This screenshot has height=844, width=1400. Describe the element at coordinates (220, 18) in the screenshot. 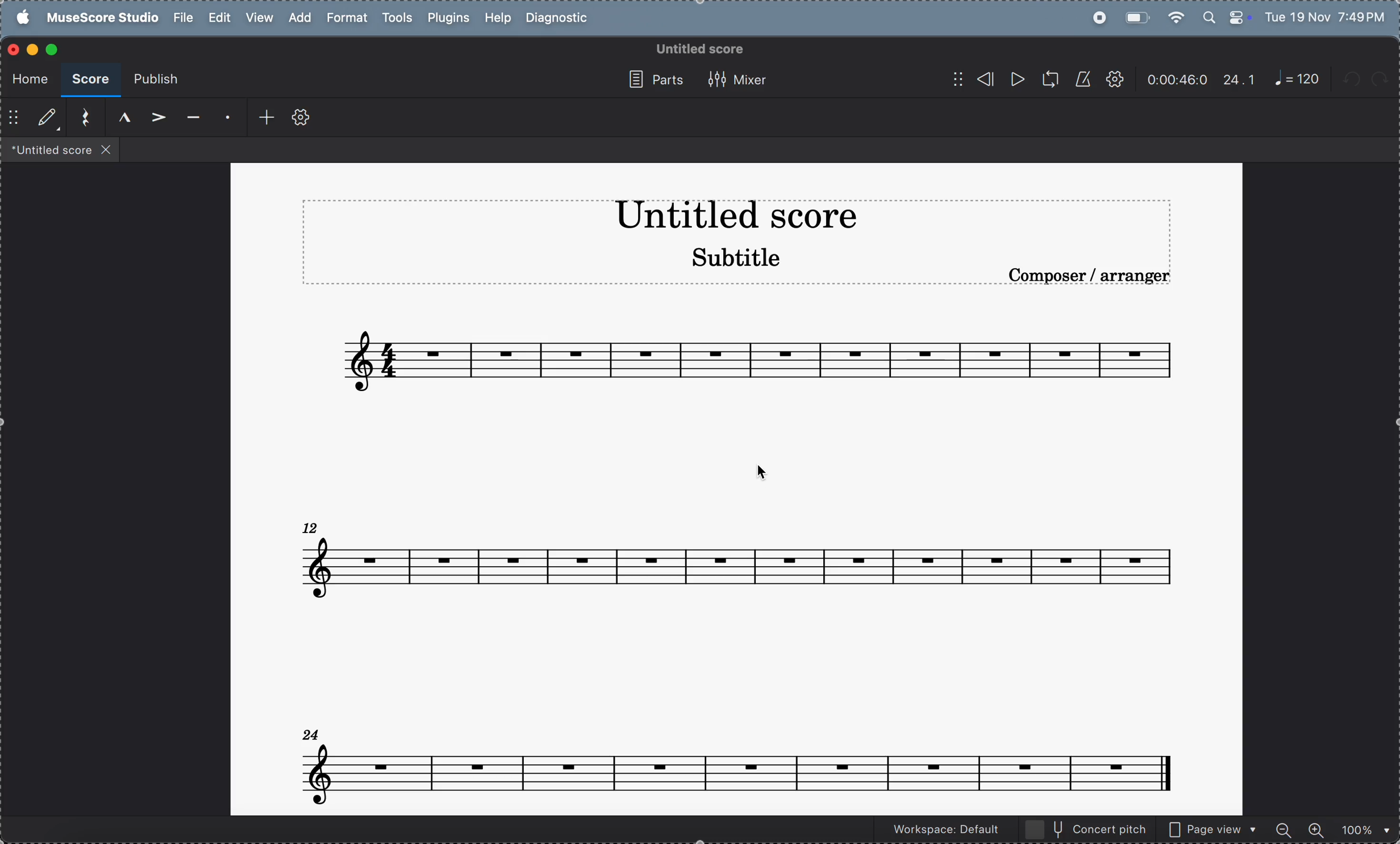

I see `edit` at that location.